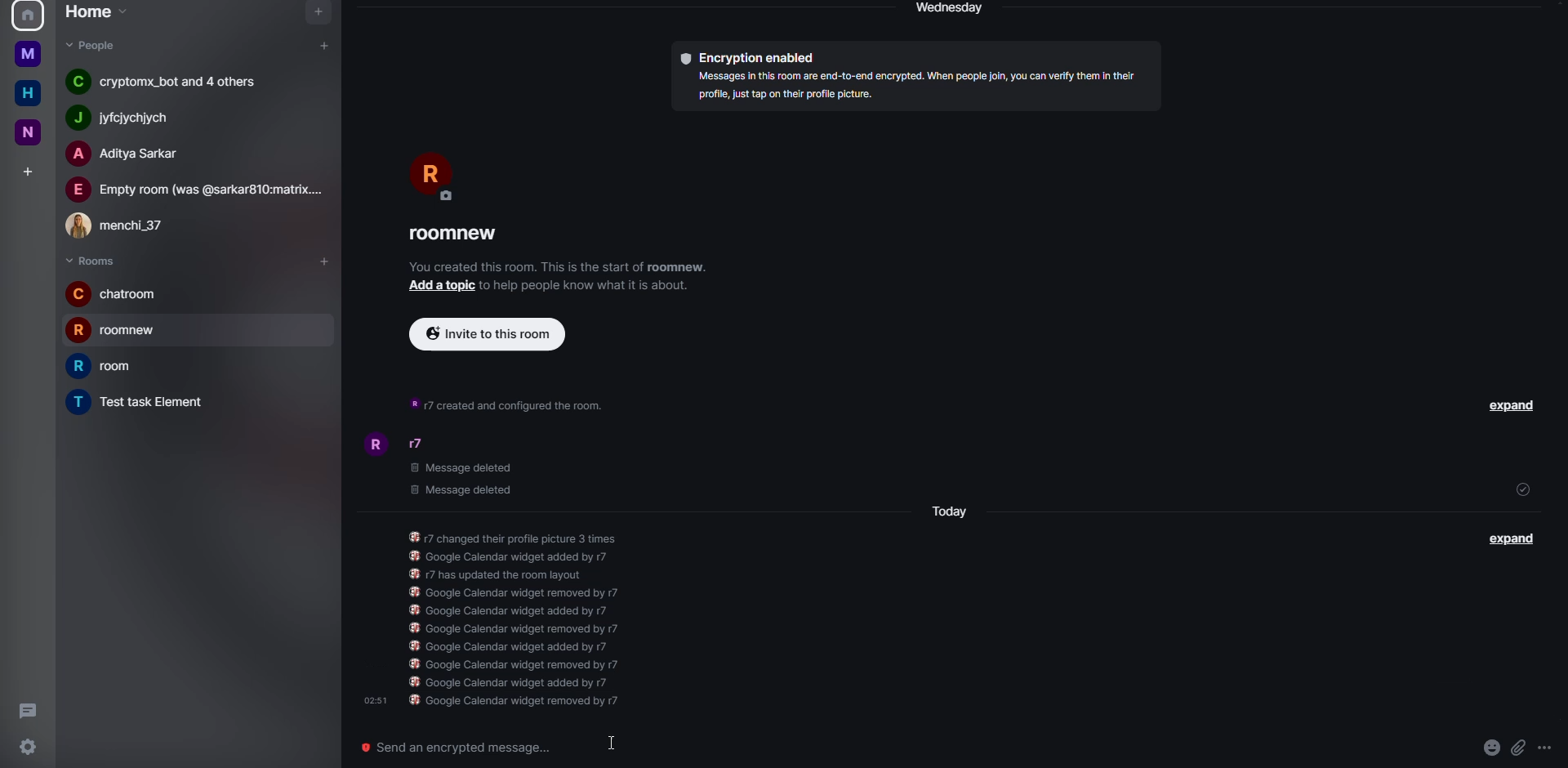  I want to click on info, so click(594, 288).